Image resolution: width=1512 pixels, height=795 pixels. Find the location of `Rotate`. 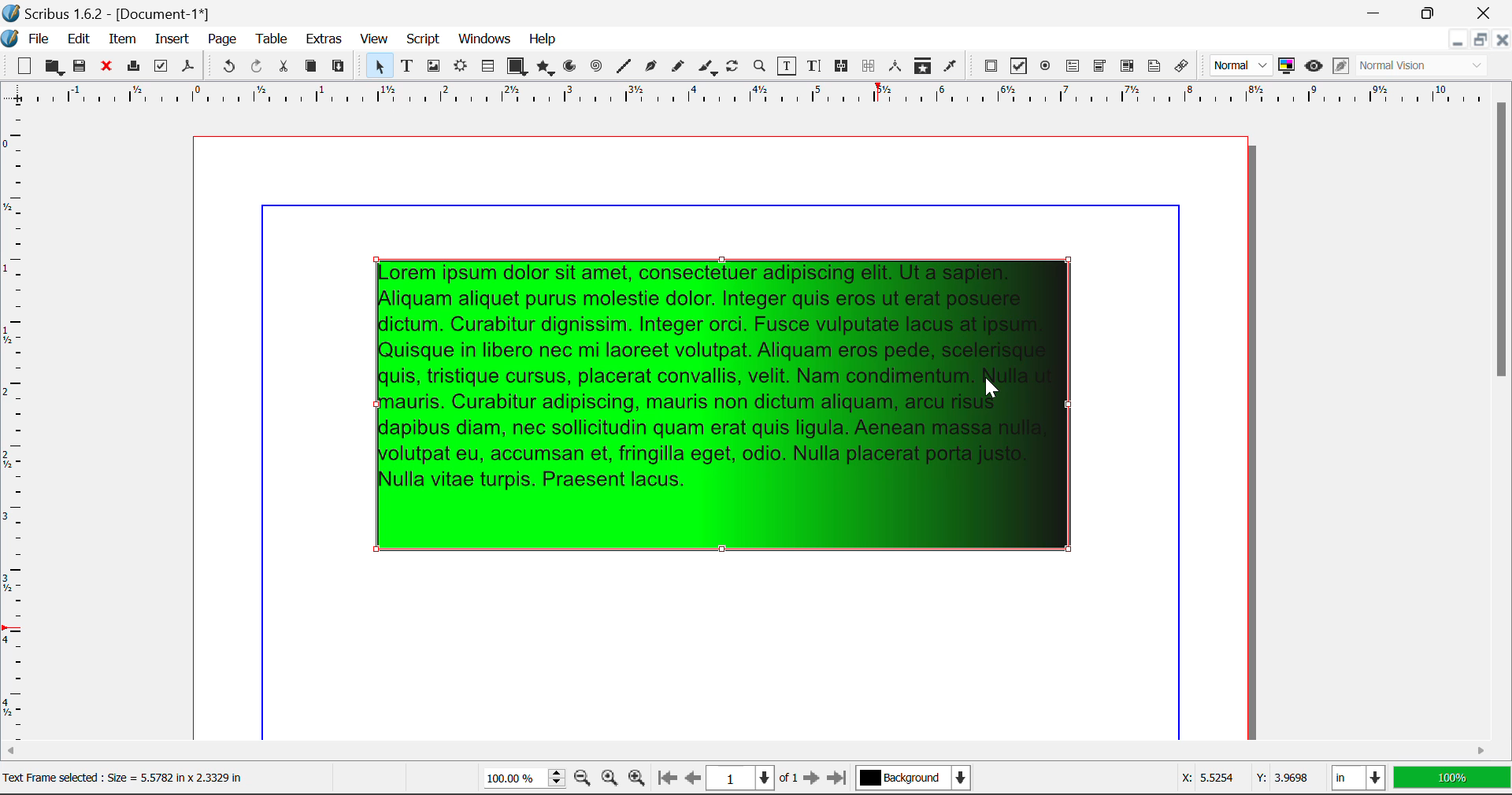

Rotate is located at coordinates (733, 66).